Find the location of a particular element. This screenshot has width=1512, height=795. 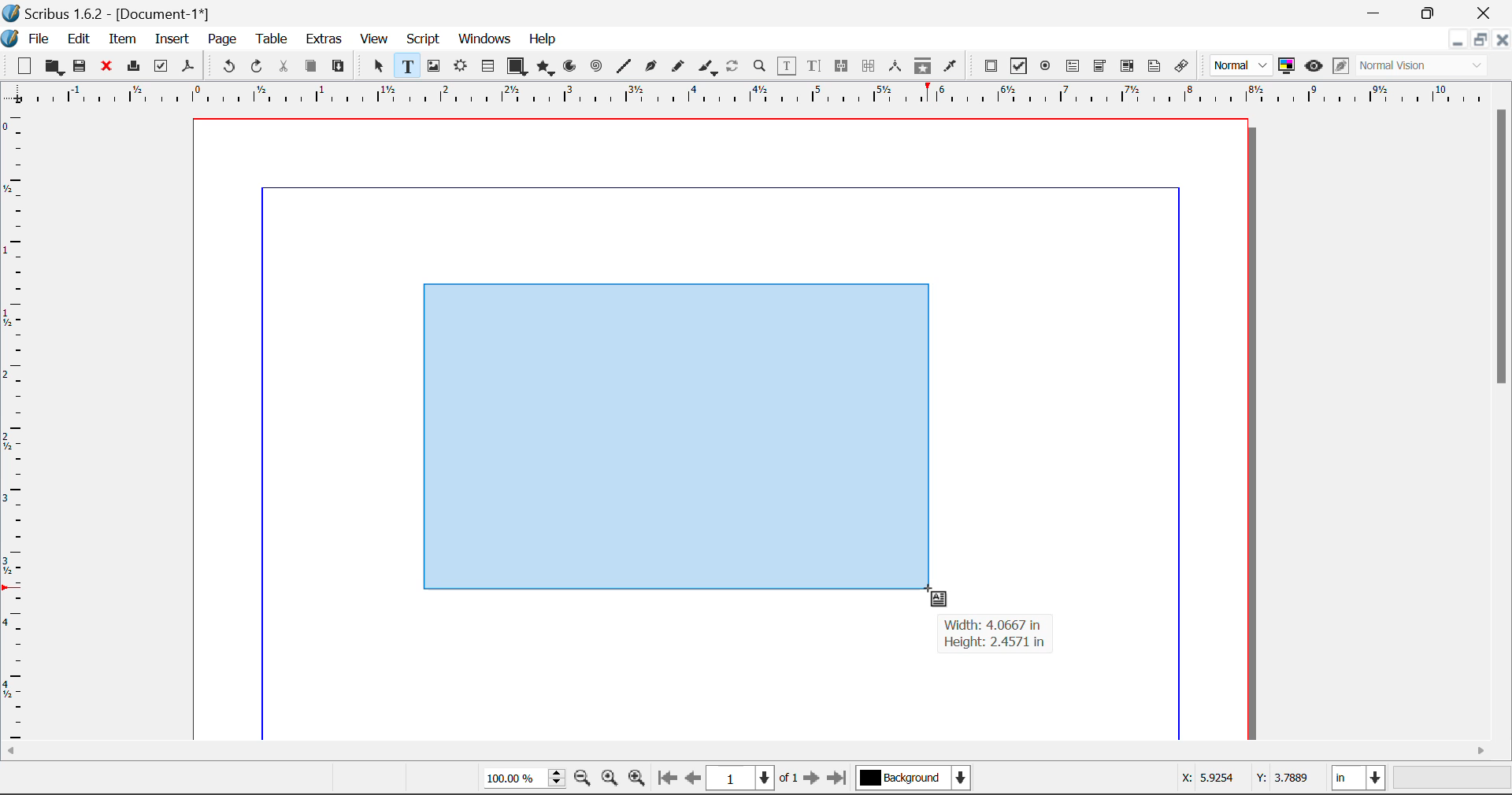

Freehand Line is located at coordinates (676, 67).